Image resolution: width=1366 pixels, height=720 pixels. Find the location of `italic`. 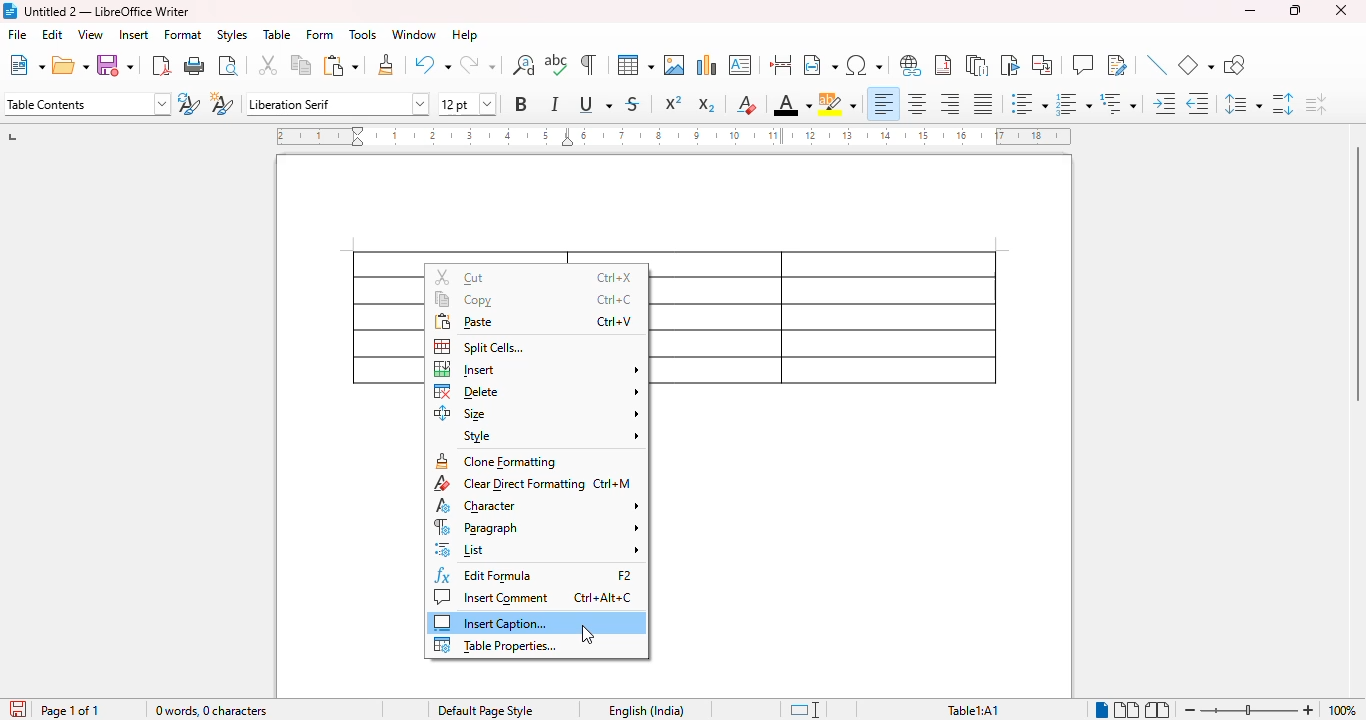

italic is located at coordinates (554, 104).